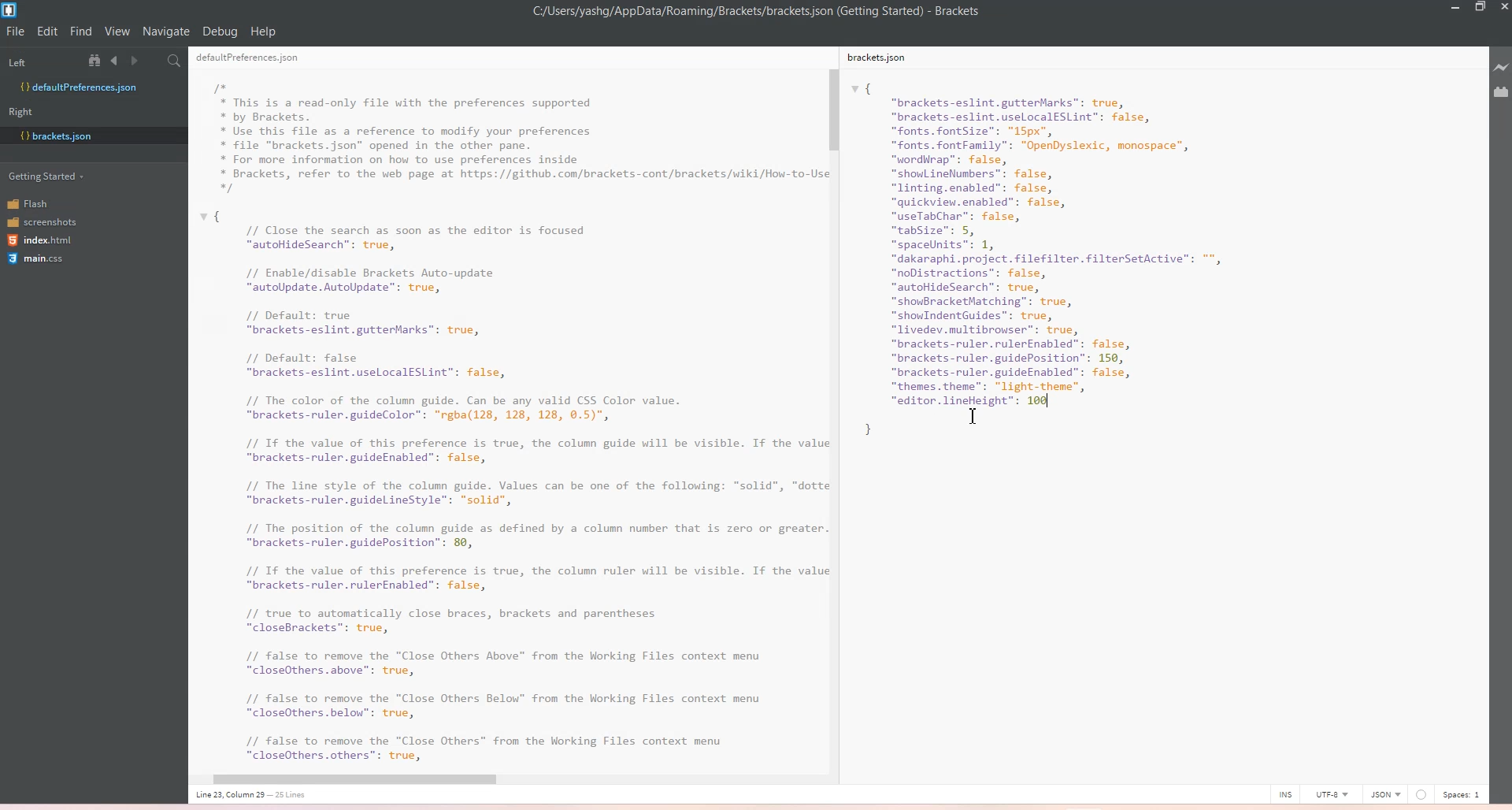 This screenshot has height=810, width=1512. Describe the element at coordinates (98, 60) in the screenshot. I see `Show in file tree` at that location.